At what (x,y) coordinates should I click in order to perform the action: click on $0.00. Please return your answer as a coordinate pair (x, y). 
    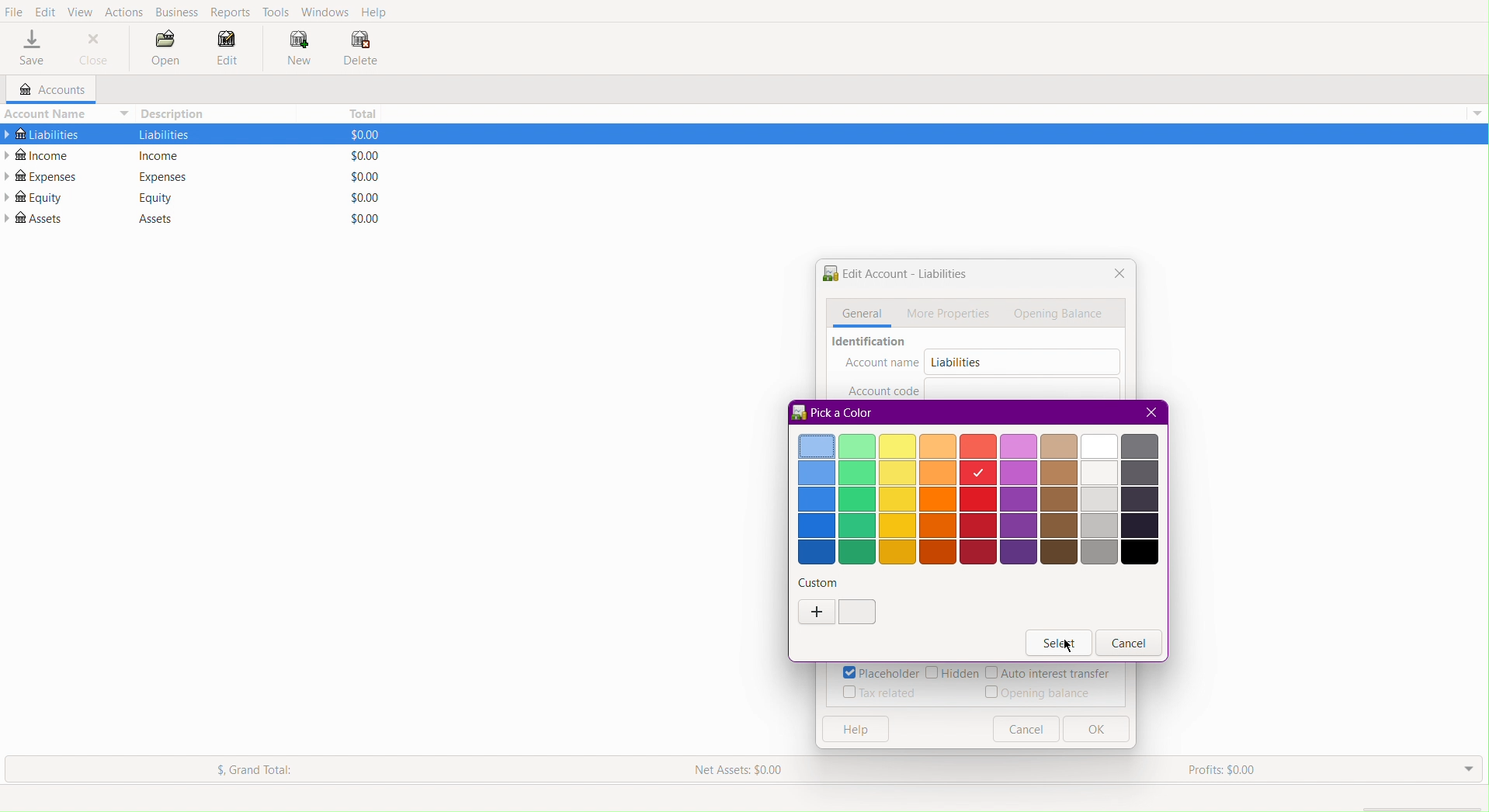
    Looking at the image, I should click on (360, 197).